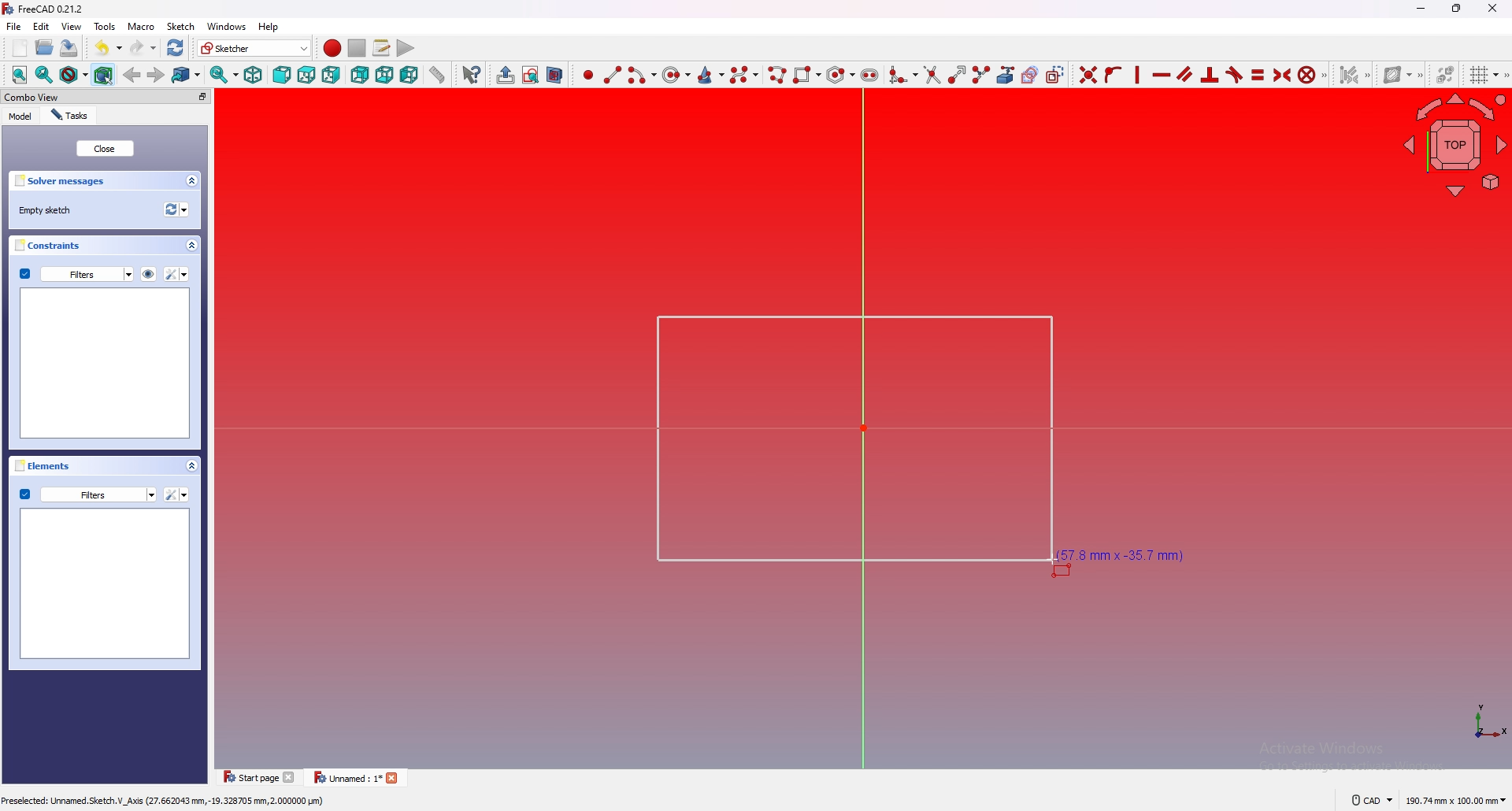 This screenshot has height=811, width=1512. I want to click on freecad, so click(46, 9).